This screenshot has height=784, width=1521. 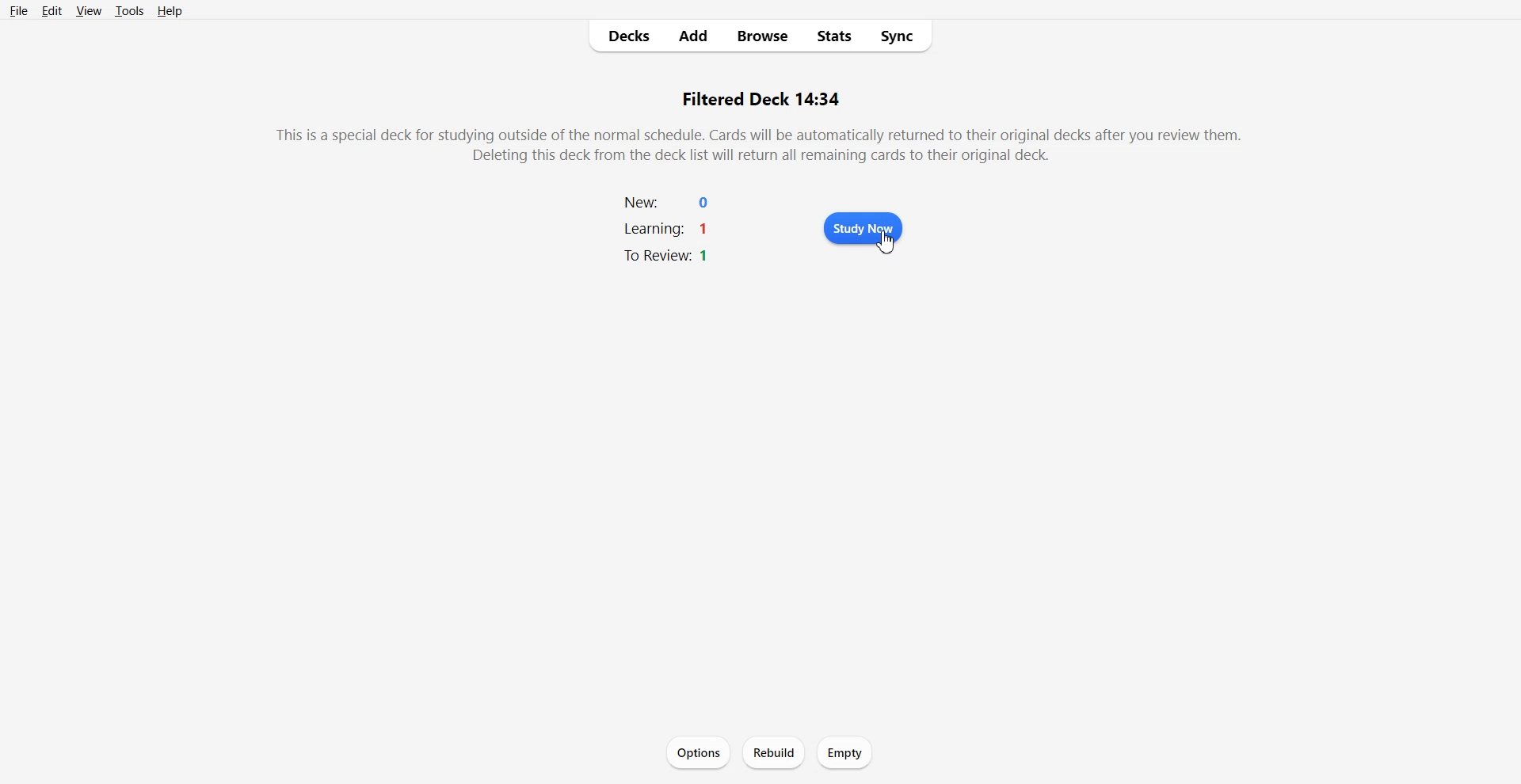 I want to click on Edit, so click(x=51, y=10).